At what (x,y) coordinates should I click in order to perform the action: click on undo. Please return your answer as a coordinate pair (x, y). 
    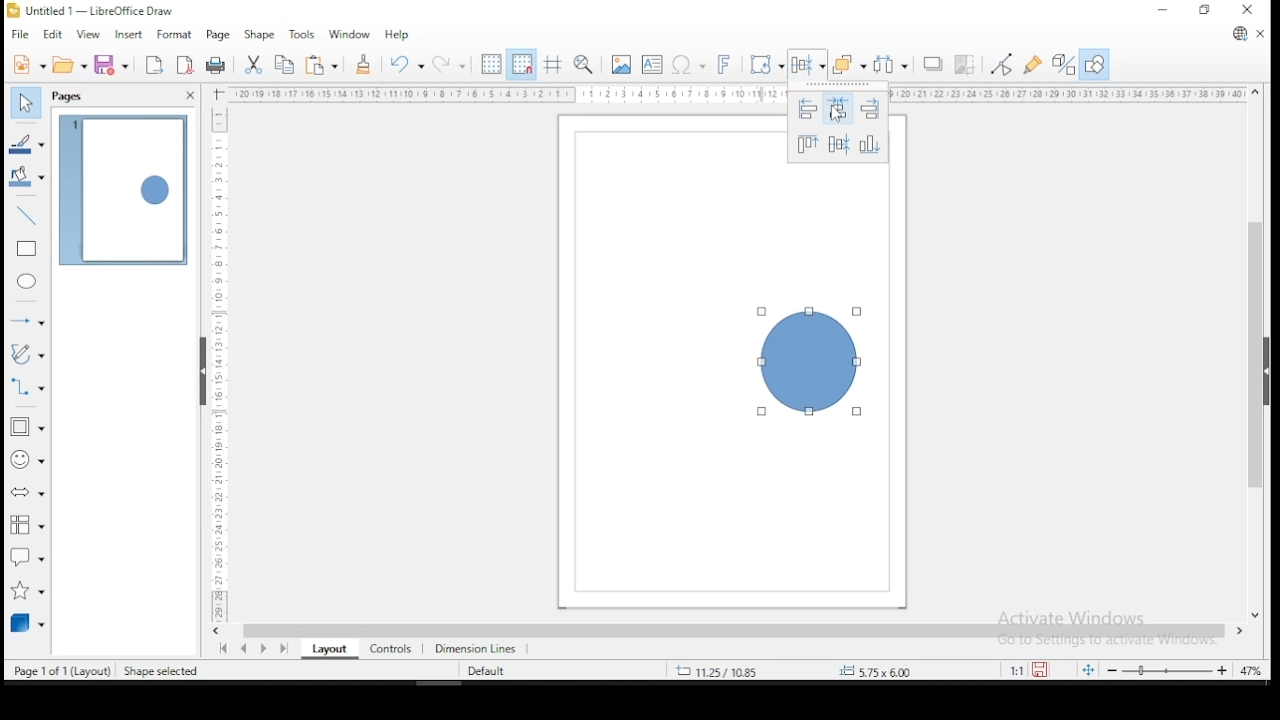
    Looking at the image, I should click on (404, 64).